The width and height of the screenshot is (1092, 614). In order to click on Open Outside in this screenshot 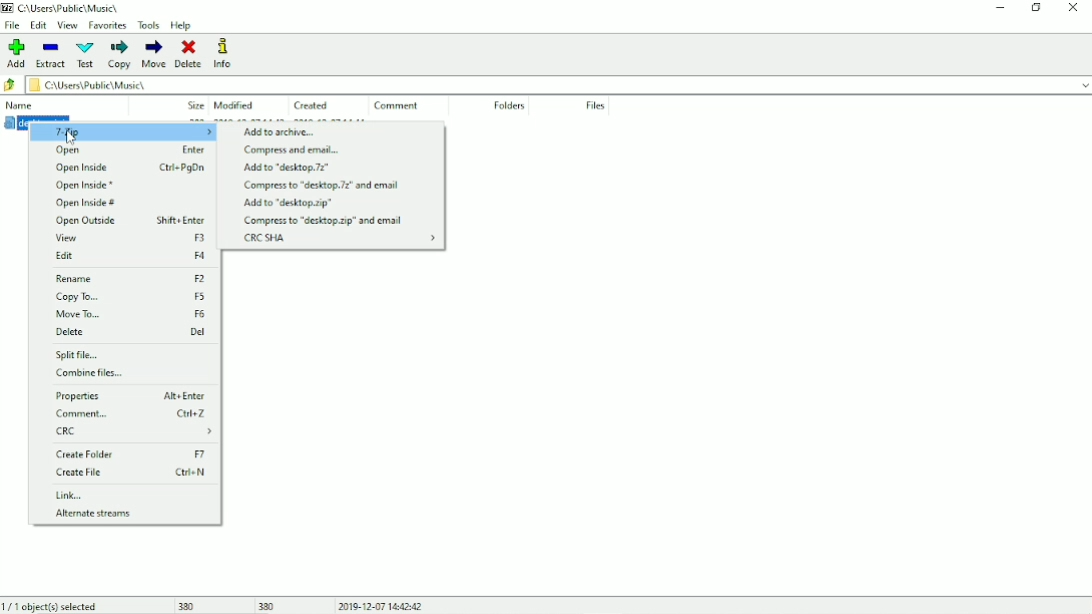, I will do `click(129, 222)`.